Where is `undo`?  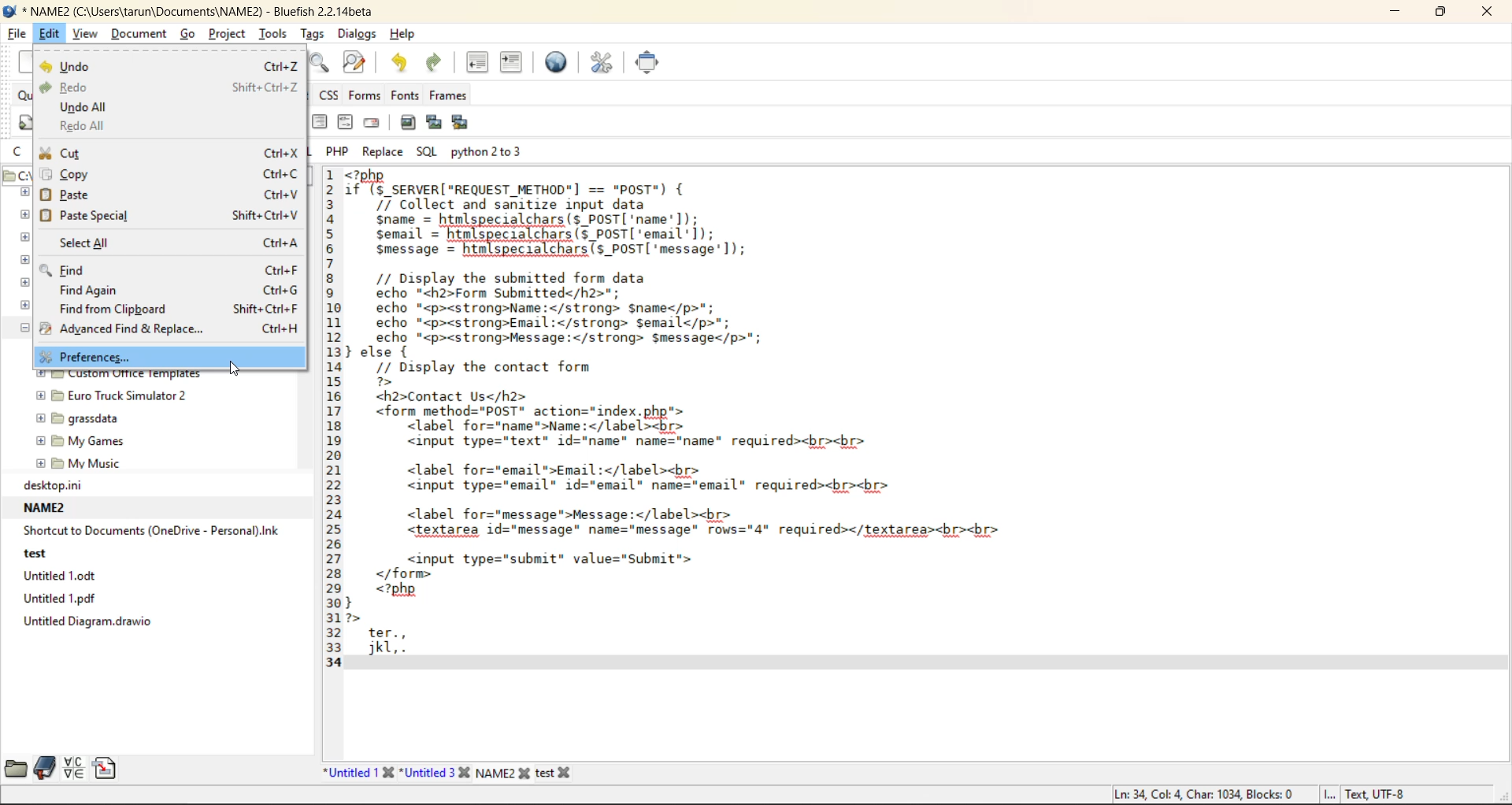 undo is located at coordinates (164, 65).